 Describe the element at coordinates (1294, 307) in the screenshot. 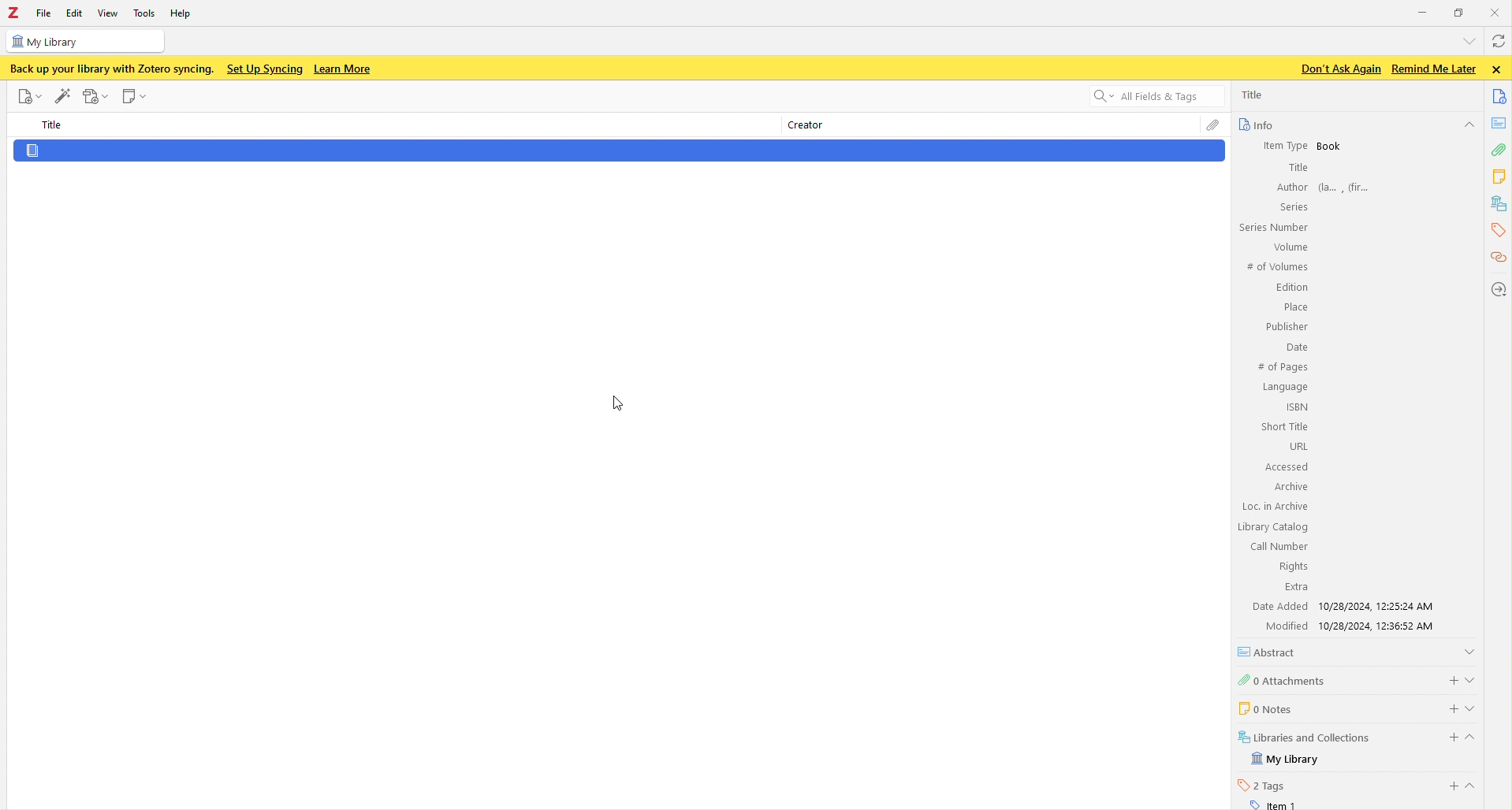

I see `Place` at that location.